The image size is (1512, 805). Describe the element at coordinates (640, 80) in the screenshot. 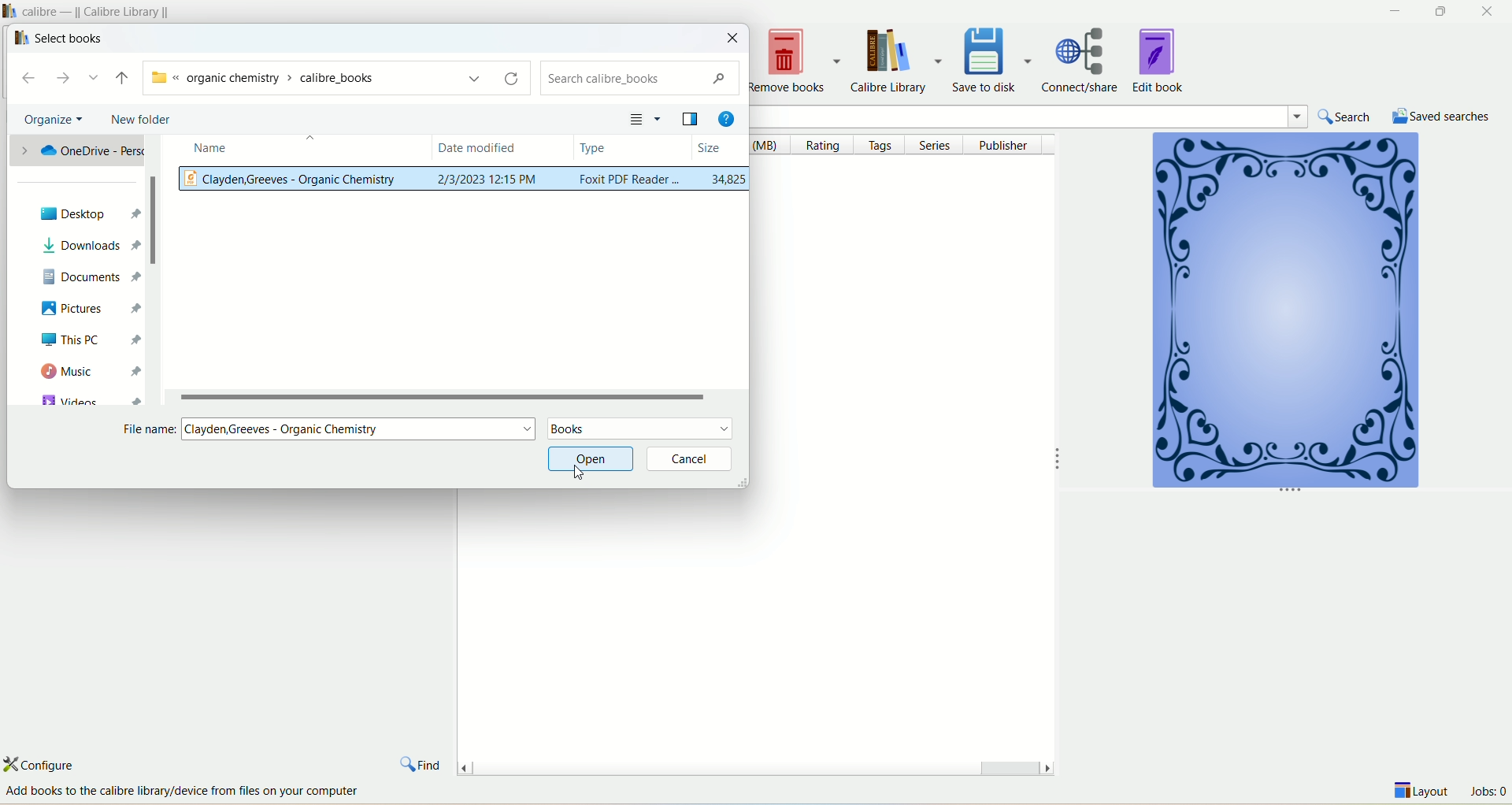

I see `search` at that location.